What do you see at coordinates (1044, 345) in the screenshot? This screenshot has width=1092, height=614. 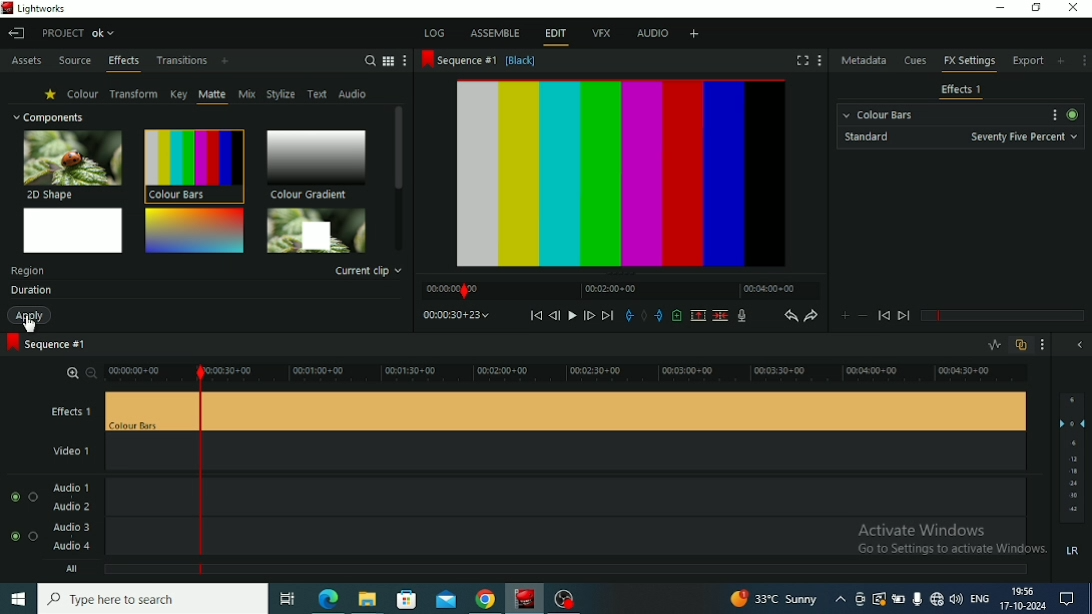 I see `Show setting menu` at bounding box center [1044, 345].